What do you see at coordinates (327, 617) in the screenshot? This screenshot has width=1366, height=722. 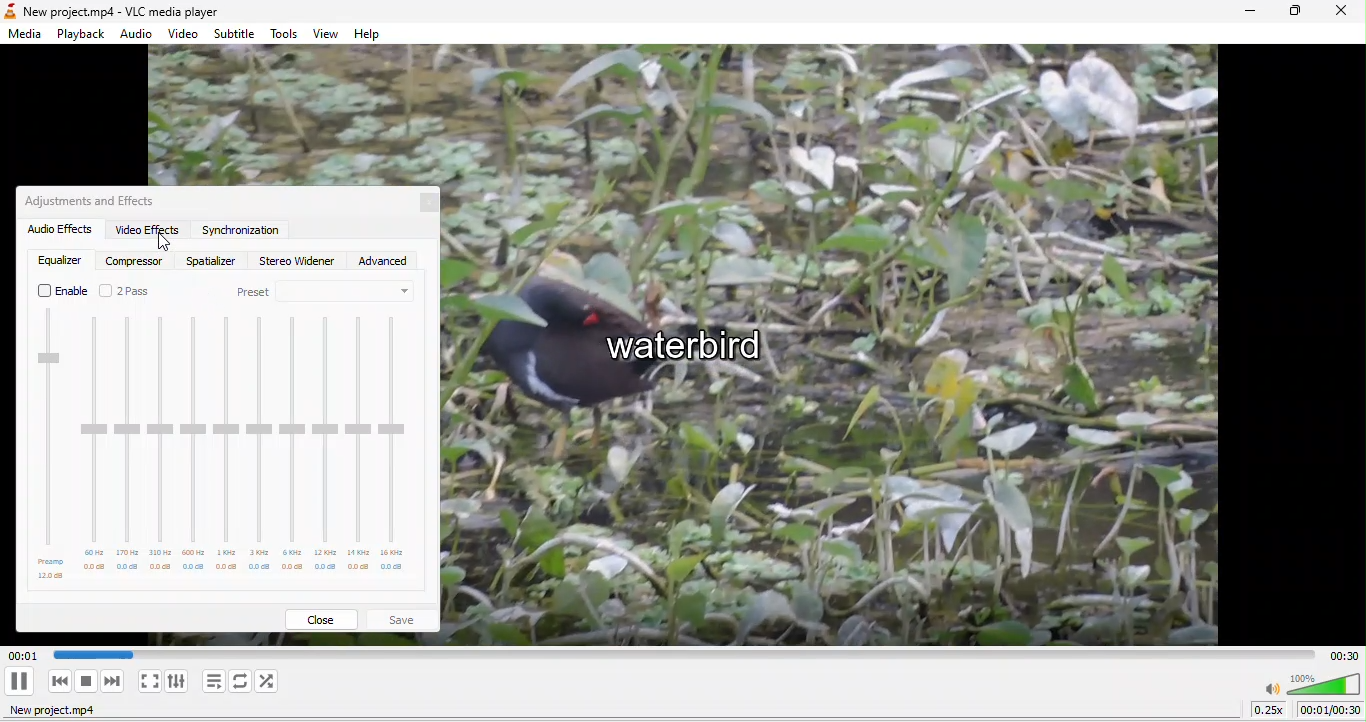 I see `close` at bounding box center [327, 617].